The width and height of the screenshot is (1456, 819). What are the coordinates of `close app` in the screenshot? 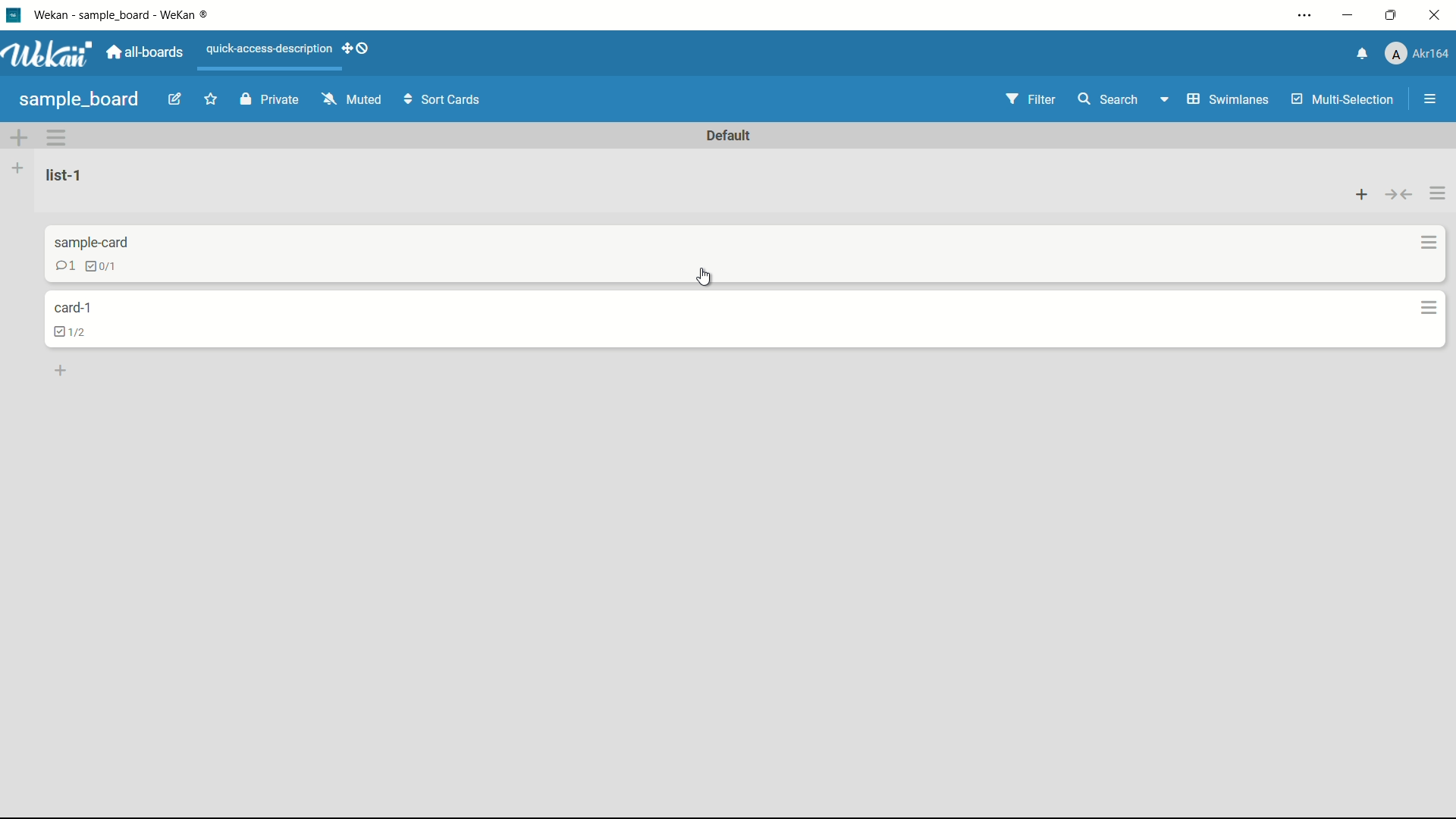 It's located at (1434, 15).